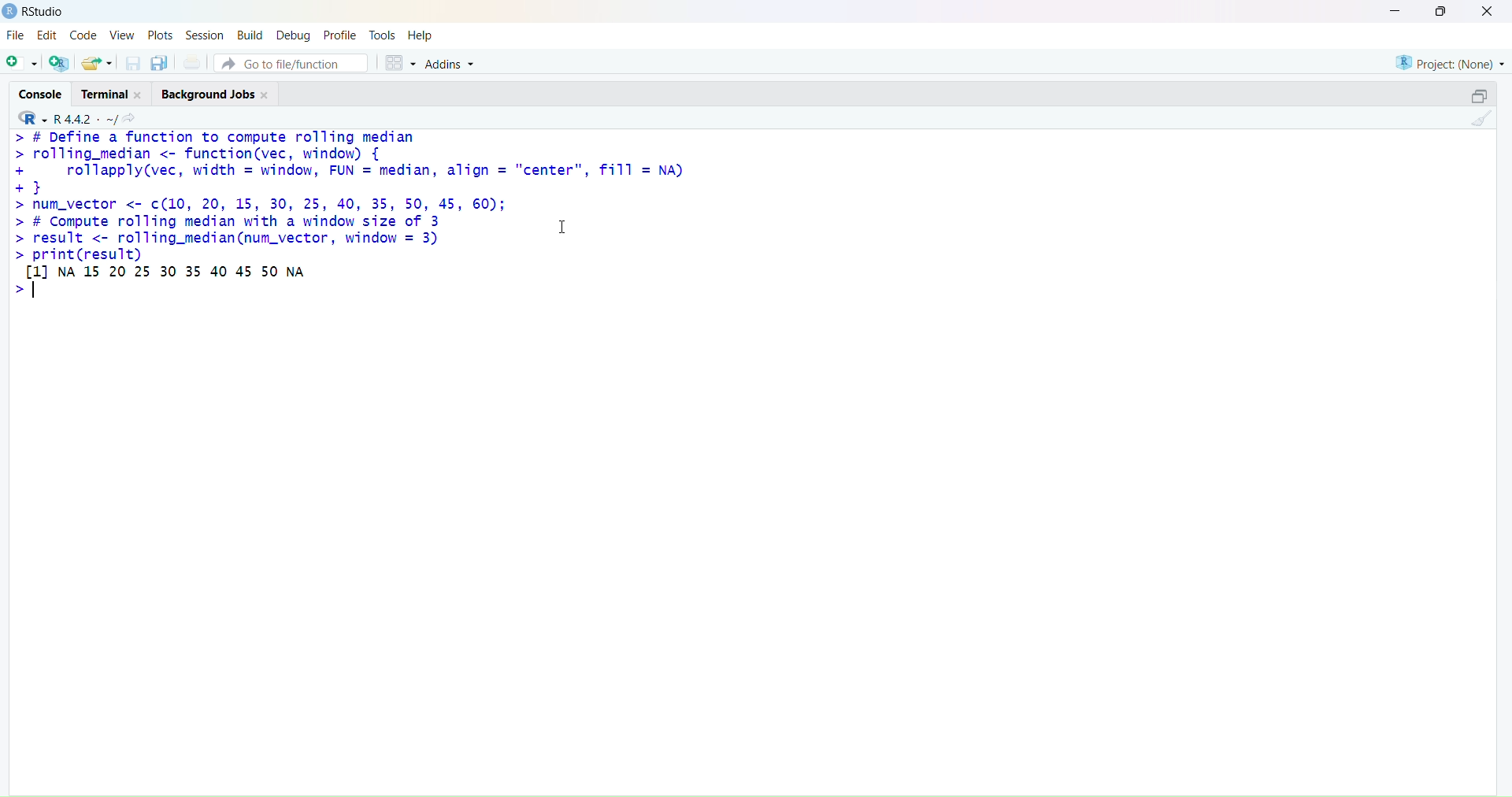  Describe the element at coordinates (160, 63) in the screenshot. I see `copy` at that location.